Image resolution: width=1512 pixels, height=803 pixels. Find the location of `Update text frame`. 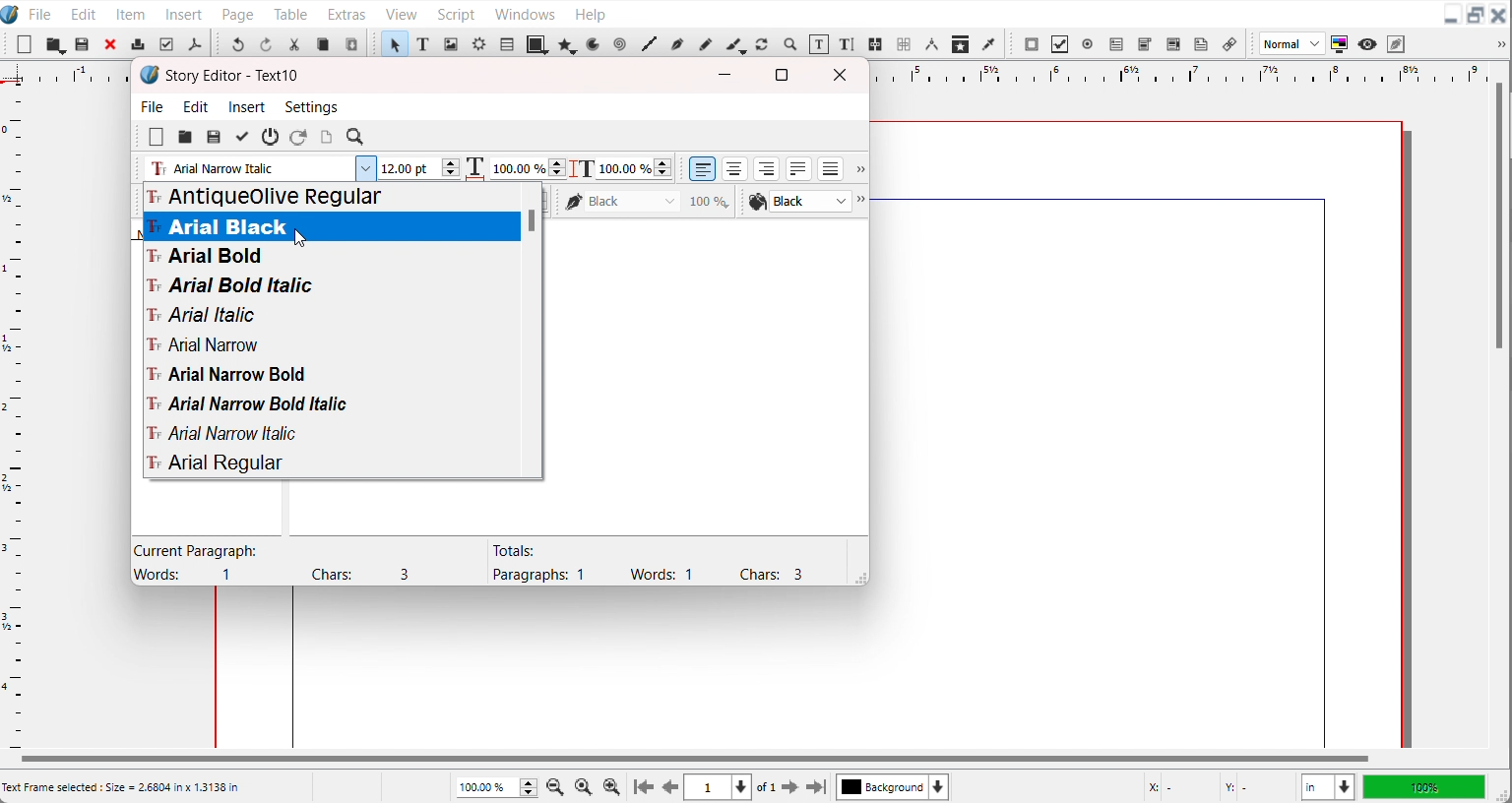

Update text frame is located at coordinates (326, 137).